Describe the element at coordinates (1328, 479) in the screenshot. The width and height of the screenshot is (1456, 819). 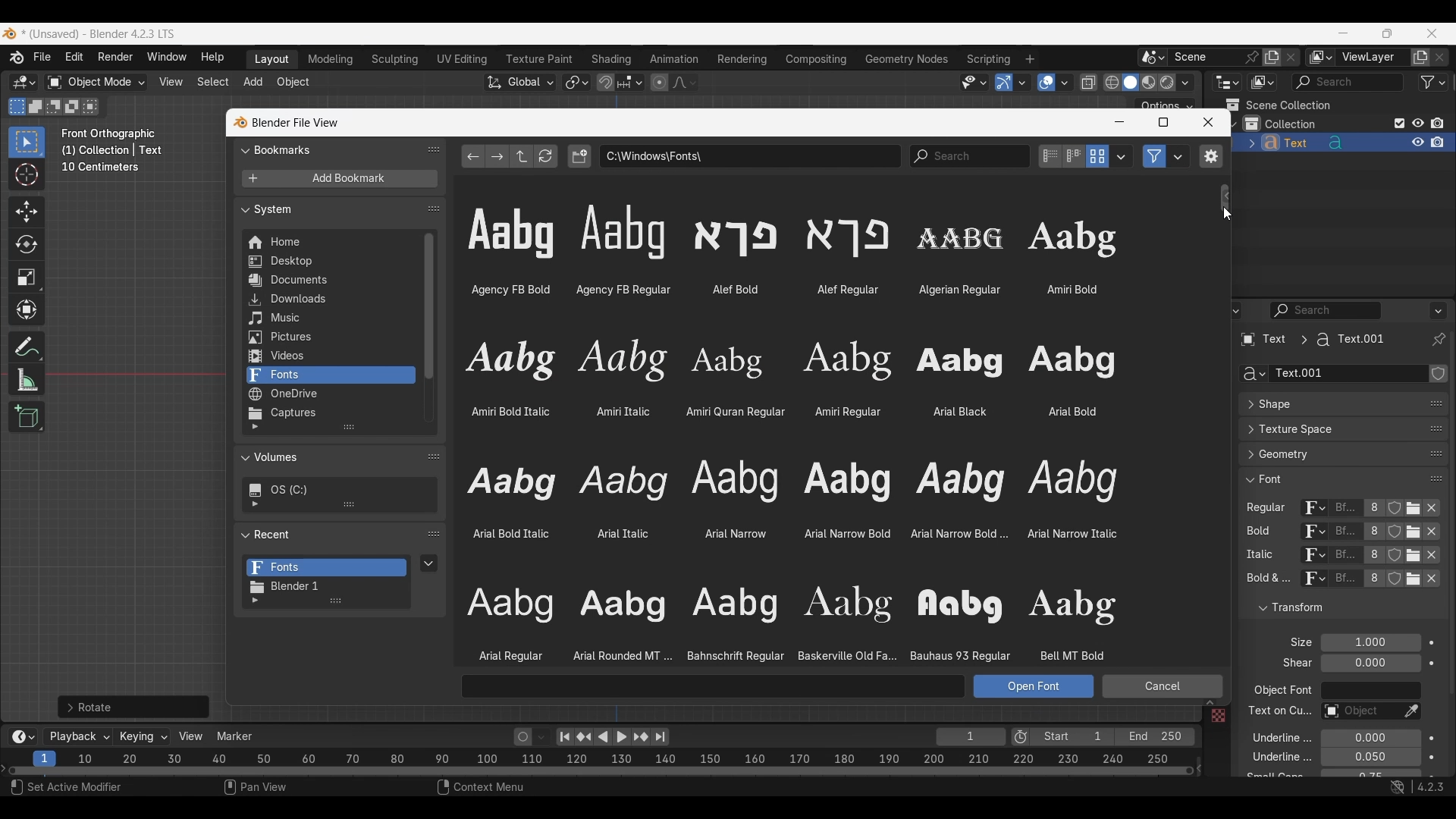
I see `Click to collapse Font` at that location.